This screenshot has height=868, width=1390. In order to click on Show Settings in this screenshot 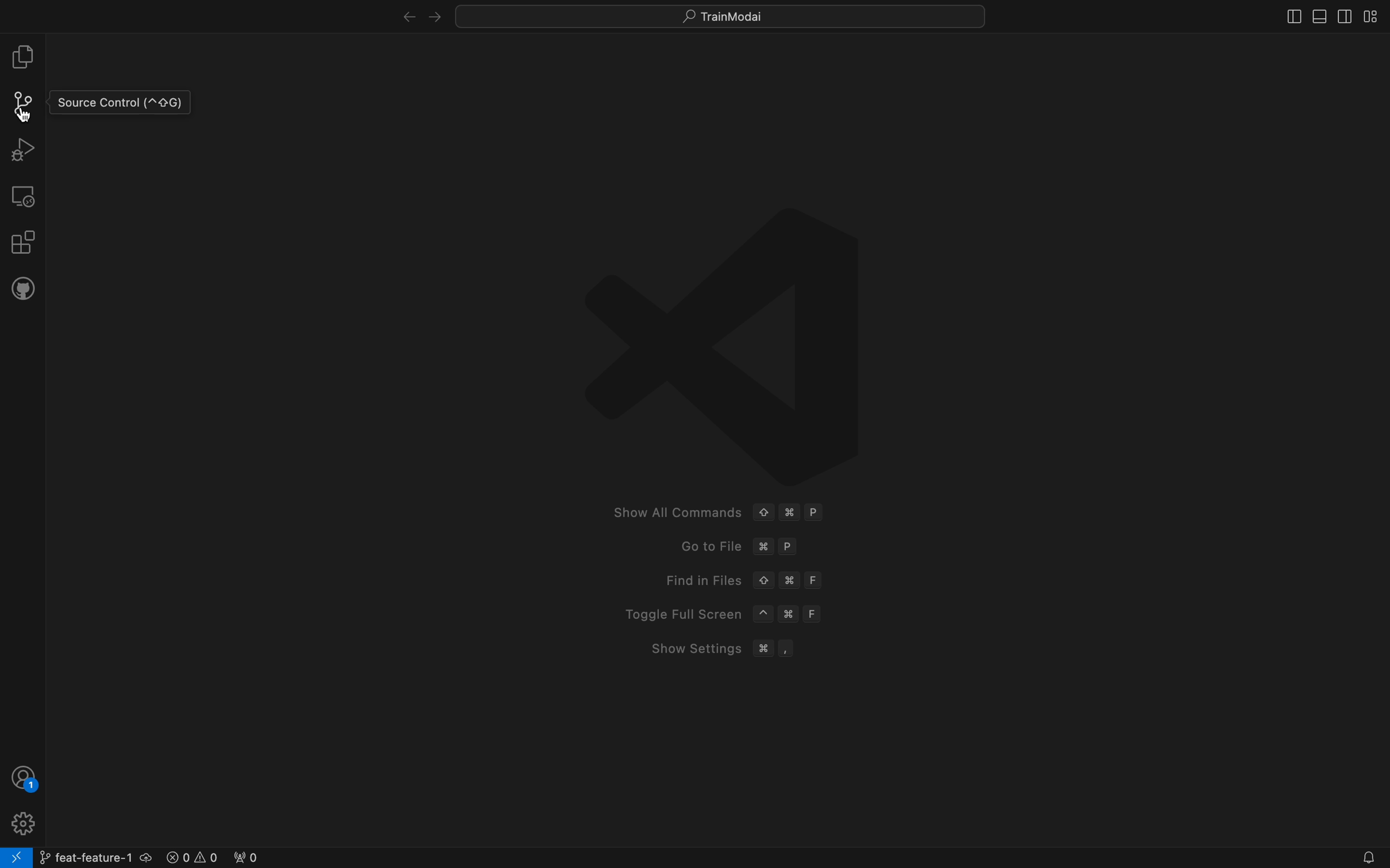, I will do `click(694, 649)`.